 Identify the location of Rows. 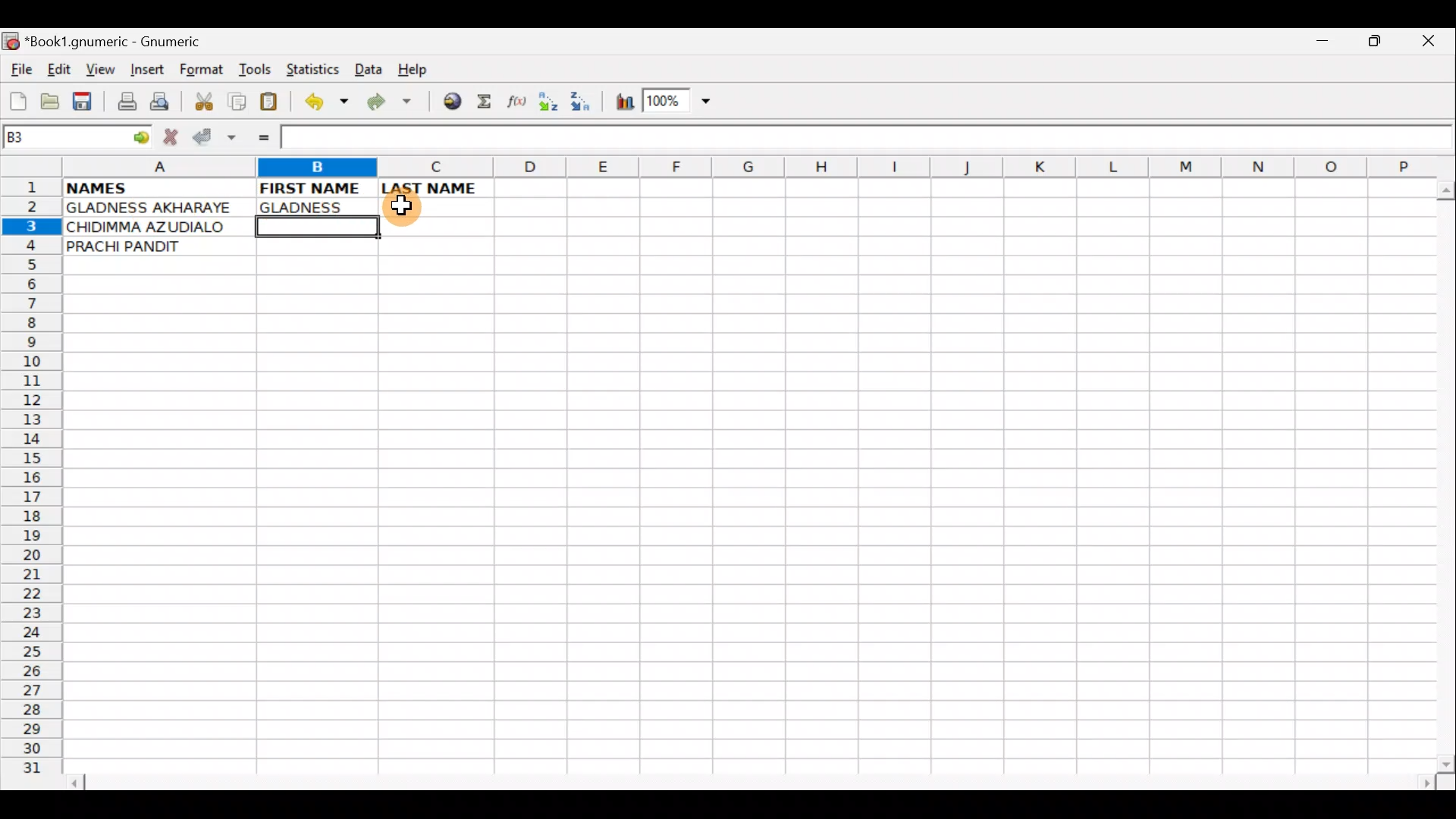
(32, 482).